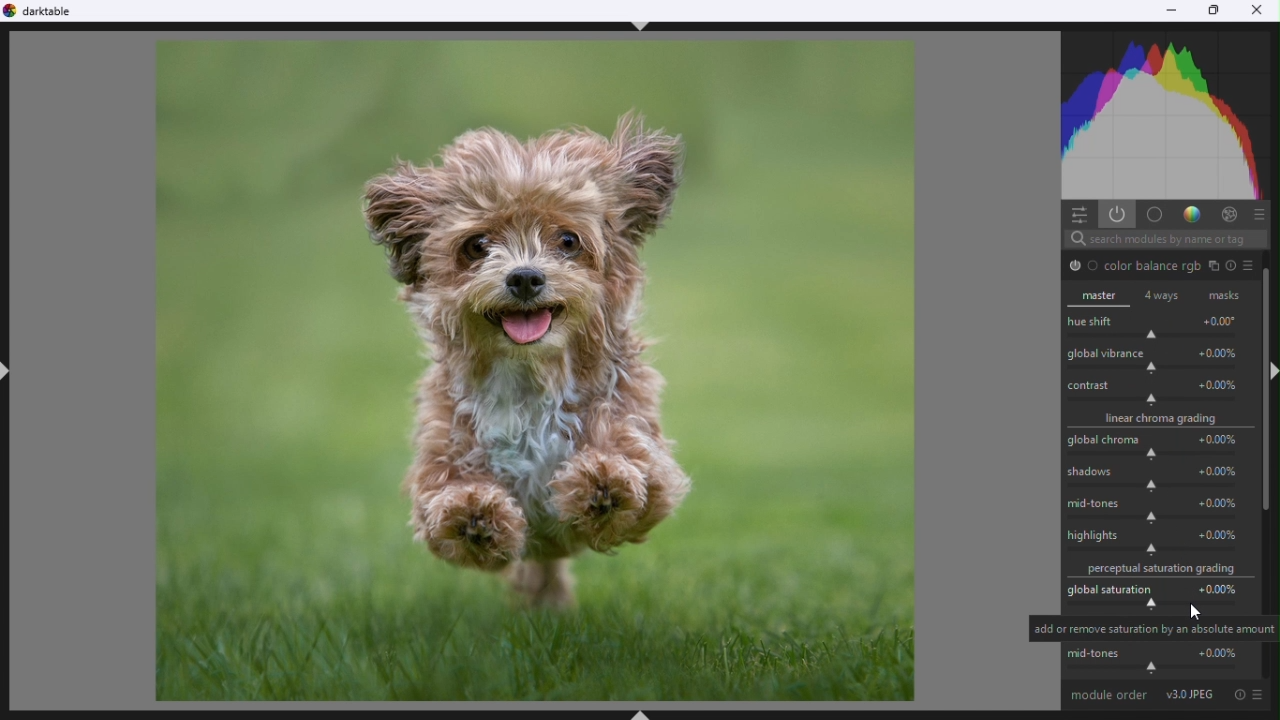 This screenshot has width=1280, height=720. Describe the element at coordinates (1215, 11) in the screenshot. I see `Restore` at that location.